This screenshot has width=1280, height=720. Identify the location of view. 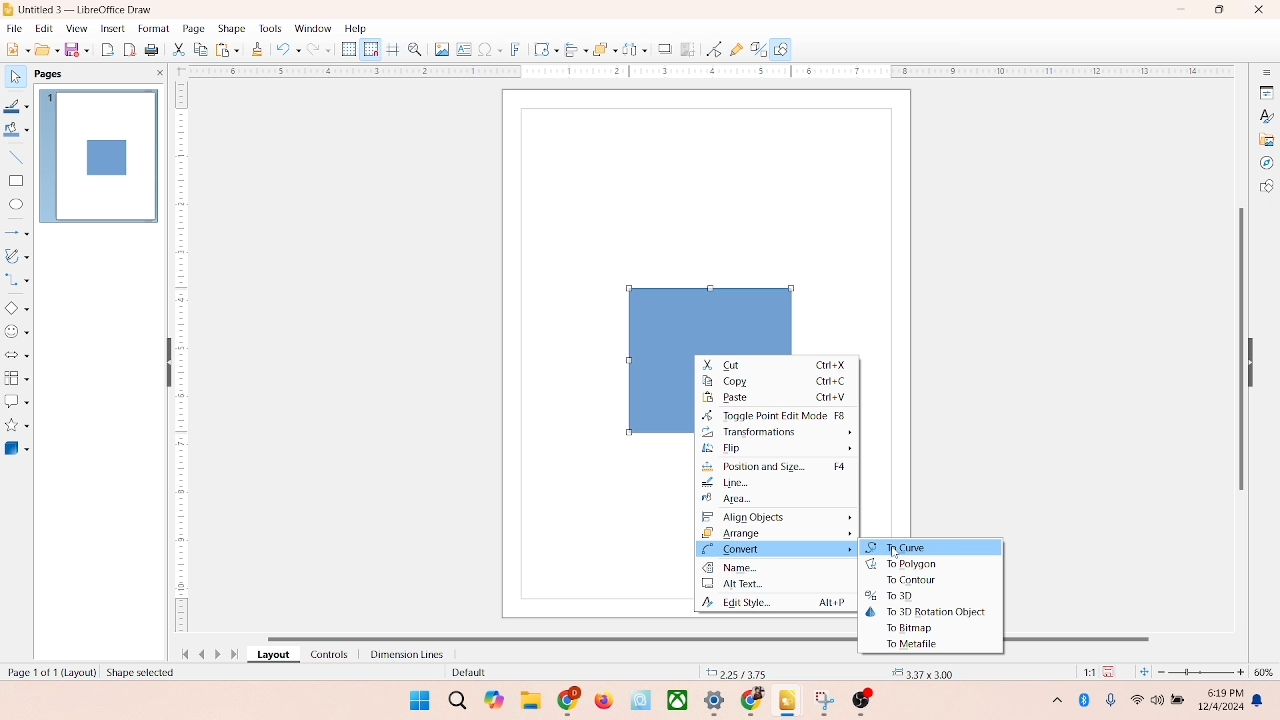
(72, 28).